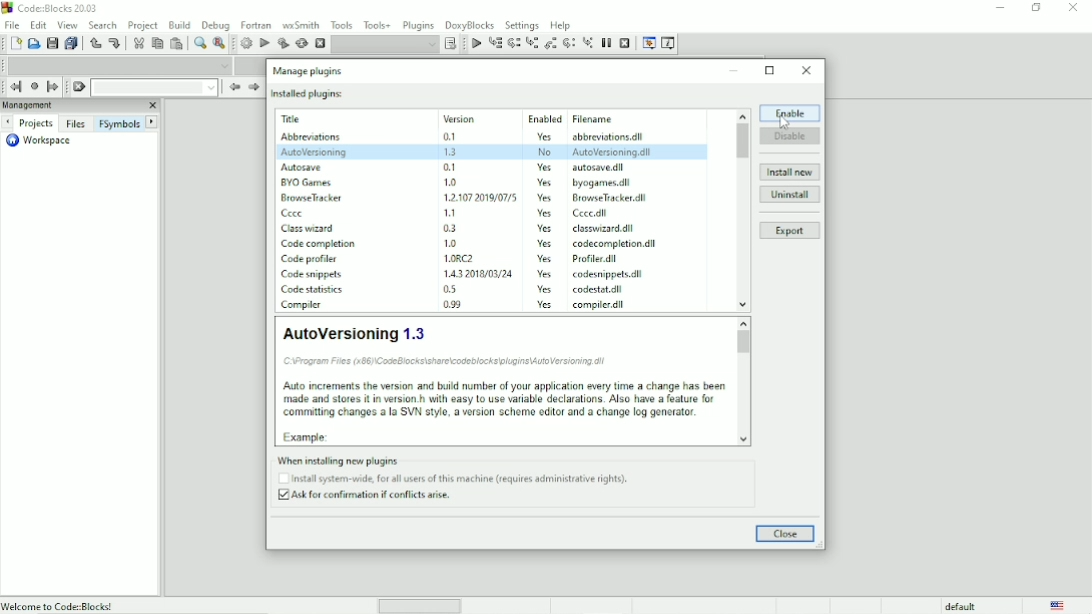 The width and height of the screenshot is (1092, 614). I want to click on Tools, so click(340, 24).